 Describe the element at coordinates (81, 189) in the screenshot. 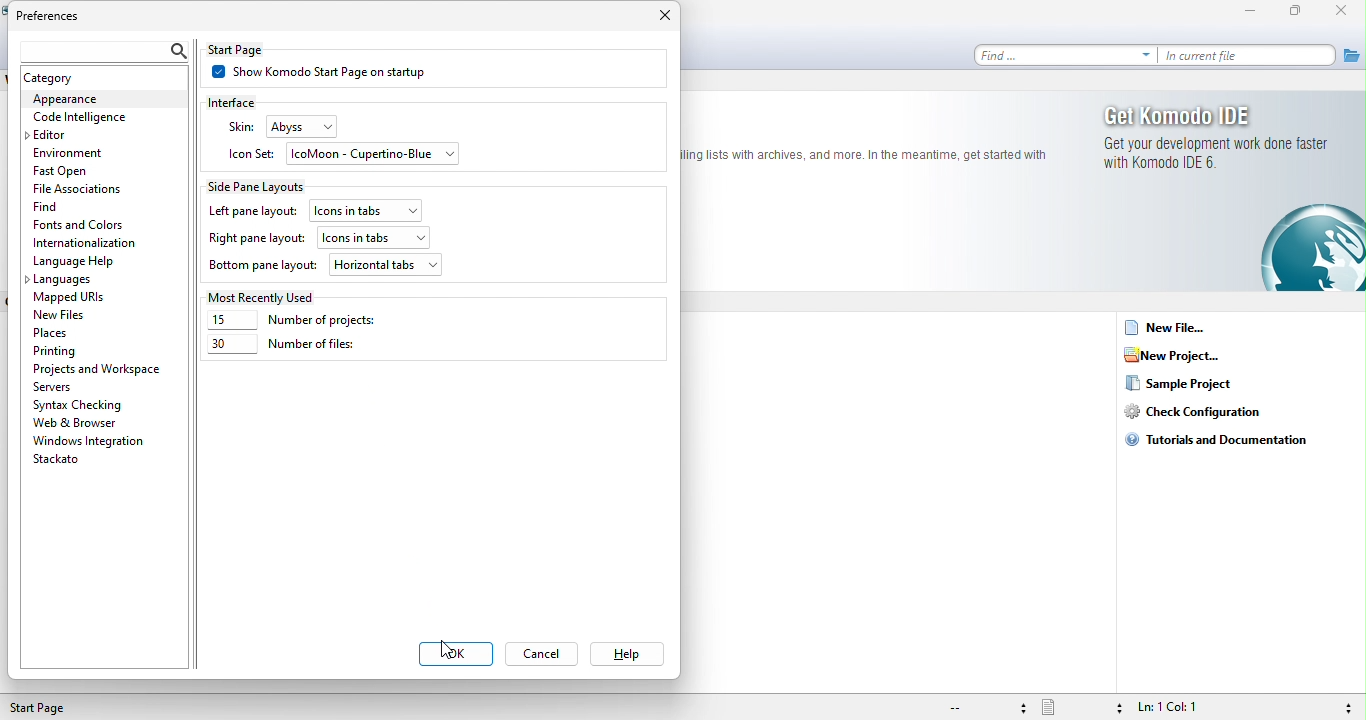

I see `file associations` at that location.